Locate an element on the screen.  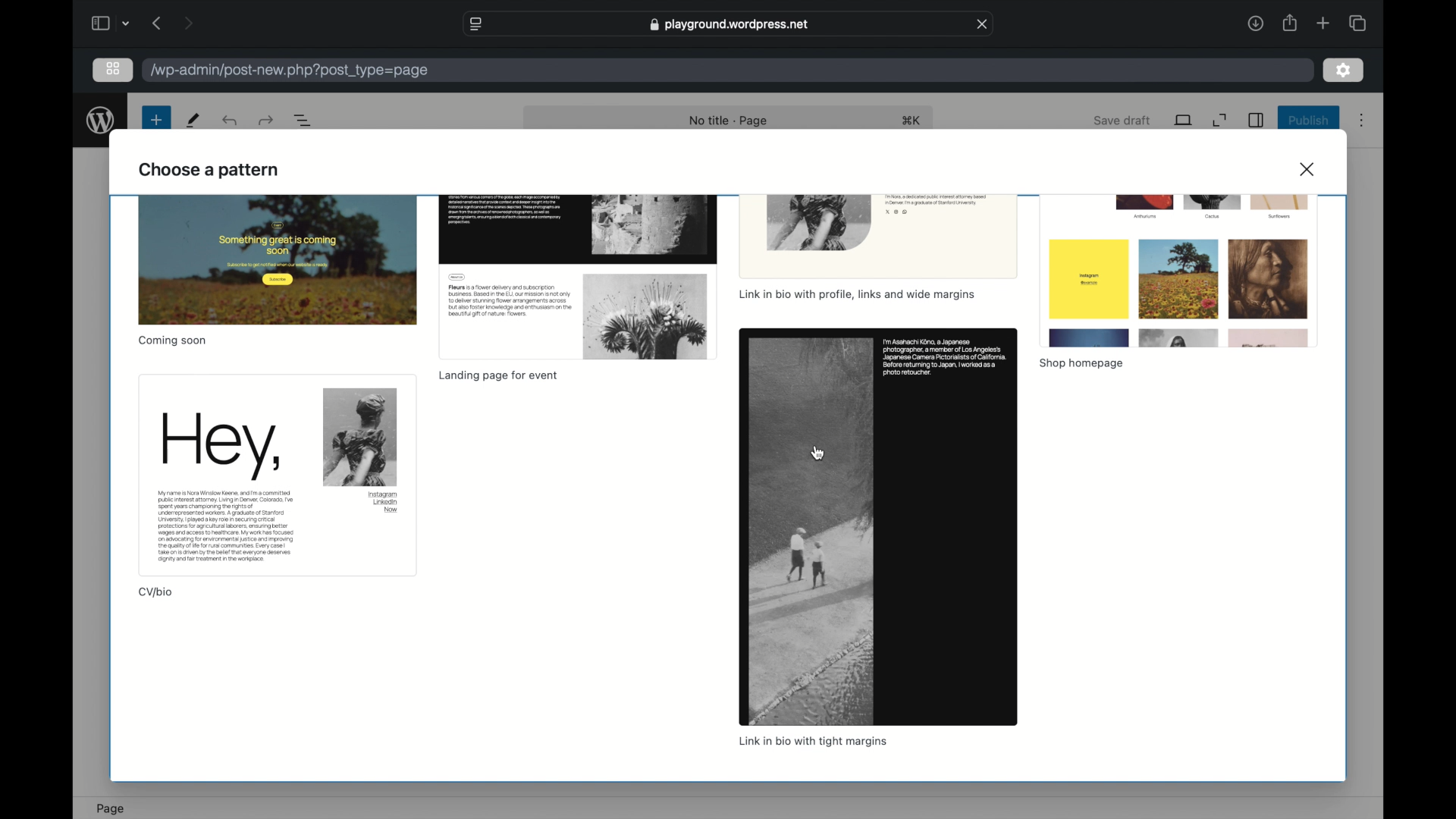
wordpress is located at coordinates (100, 120).